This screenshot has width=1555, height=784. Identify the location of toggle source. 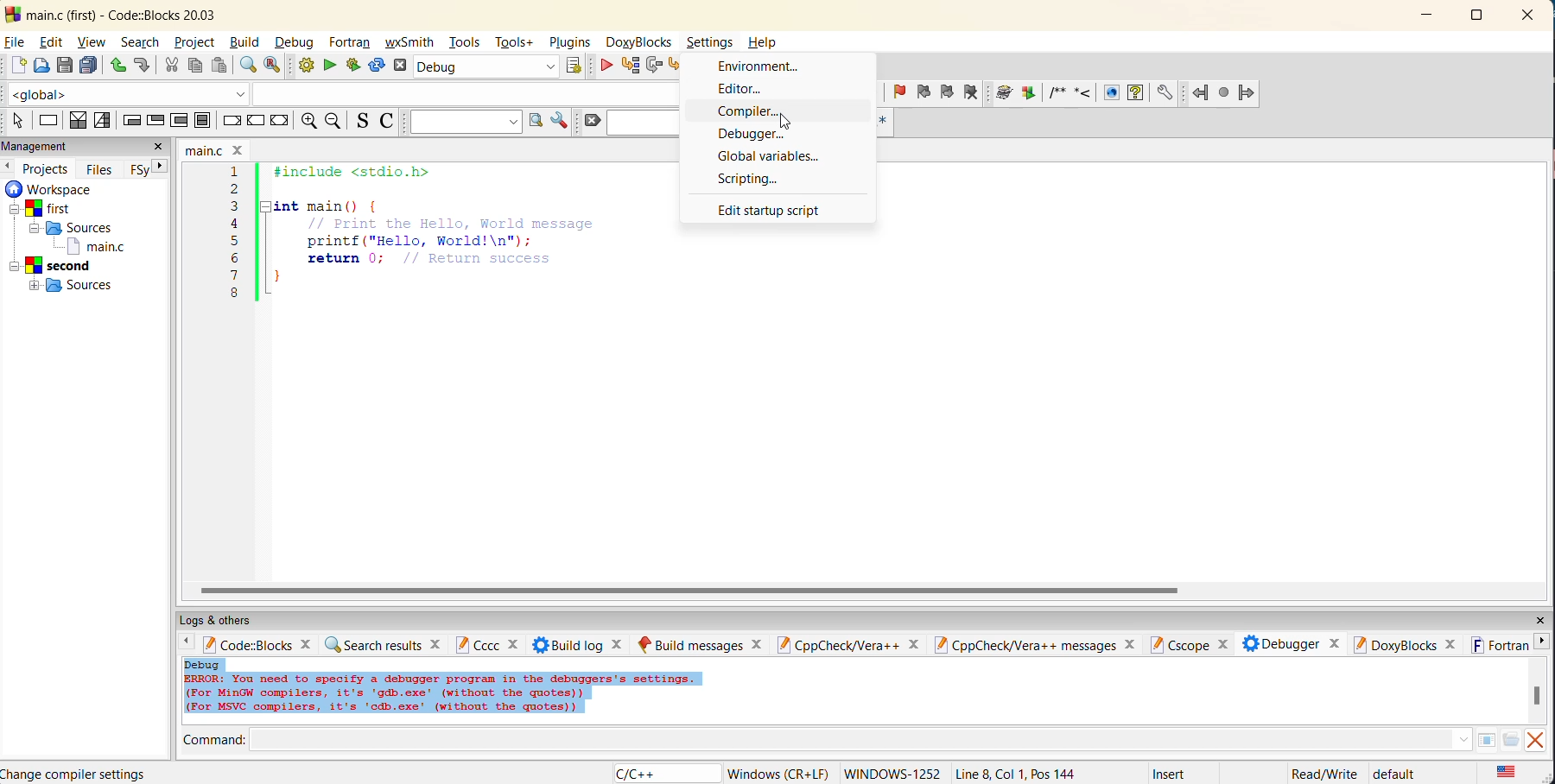
(361, 122).